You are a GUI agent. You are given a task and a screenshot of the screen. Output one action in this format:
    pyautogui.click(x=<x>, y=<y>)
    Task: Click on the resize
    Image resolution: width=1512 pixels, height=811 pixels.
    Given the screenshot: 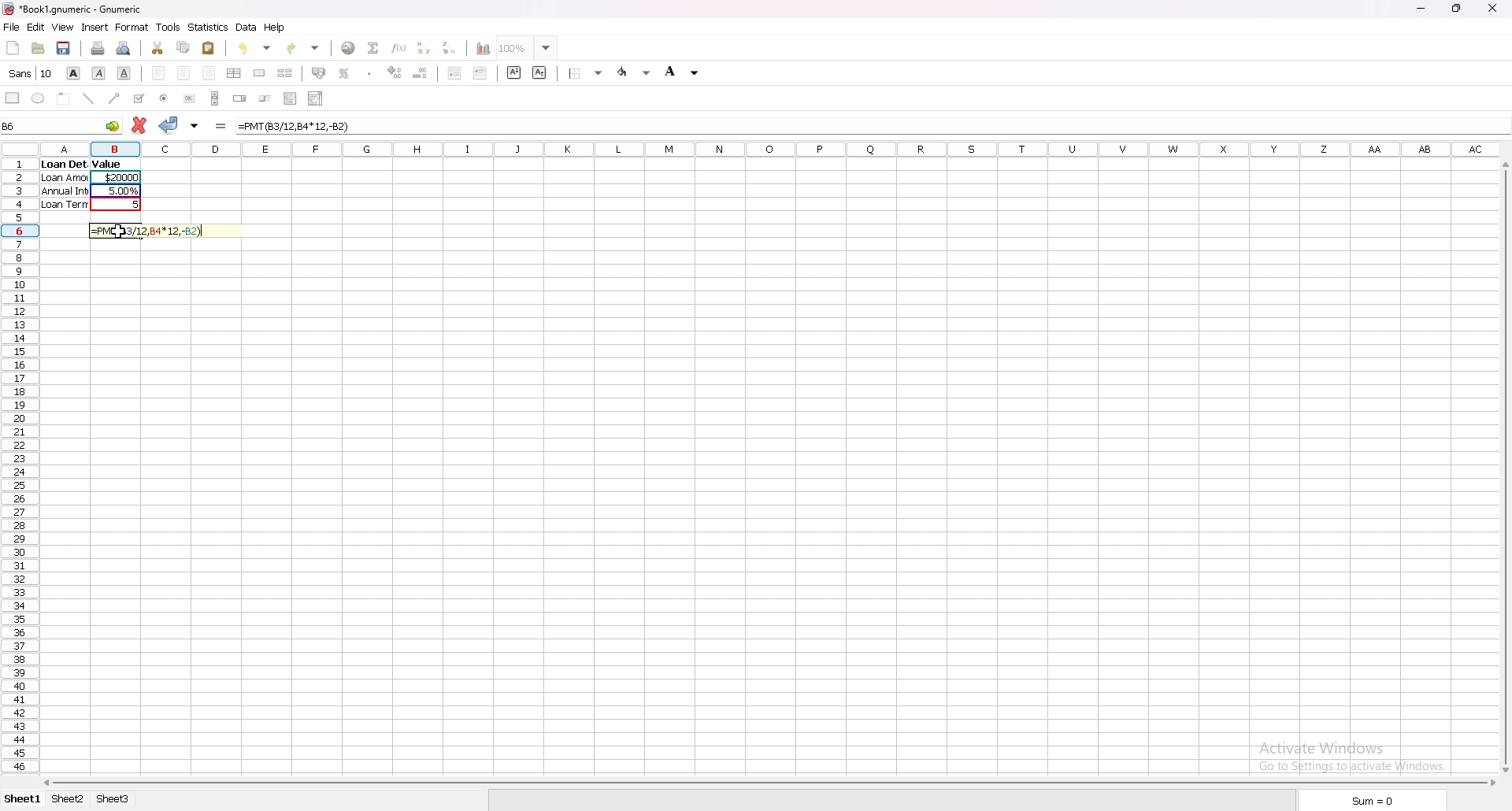 What is the action you would take?
    pyautogui.click(x=1458, y=9)
    